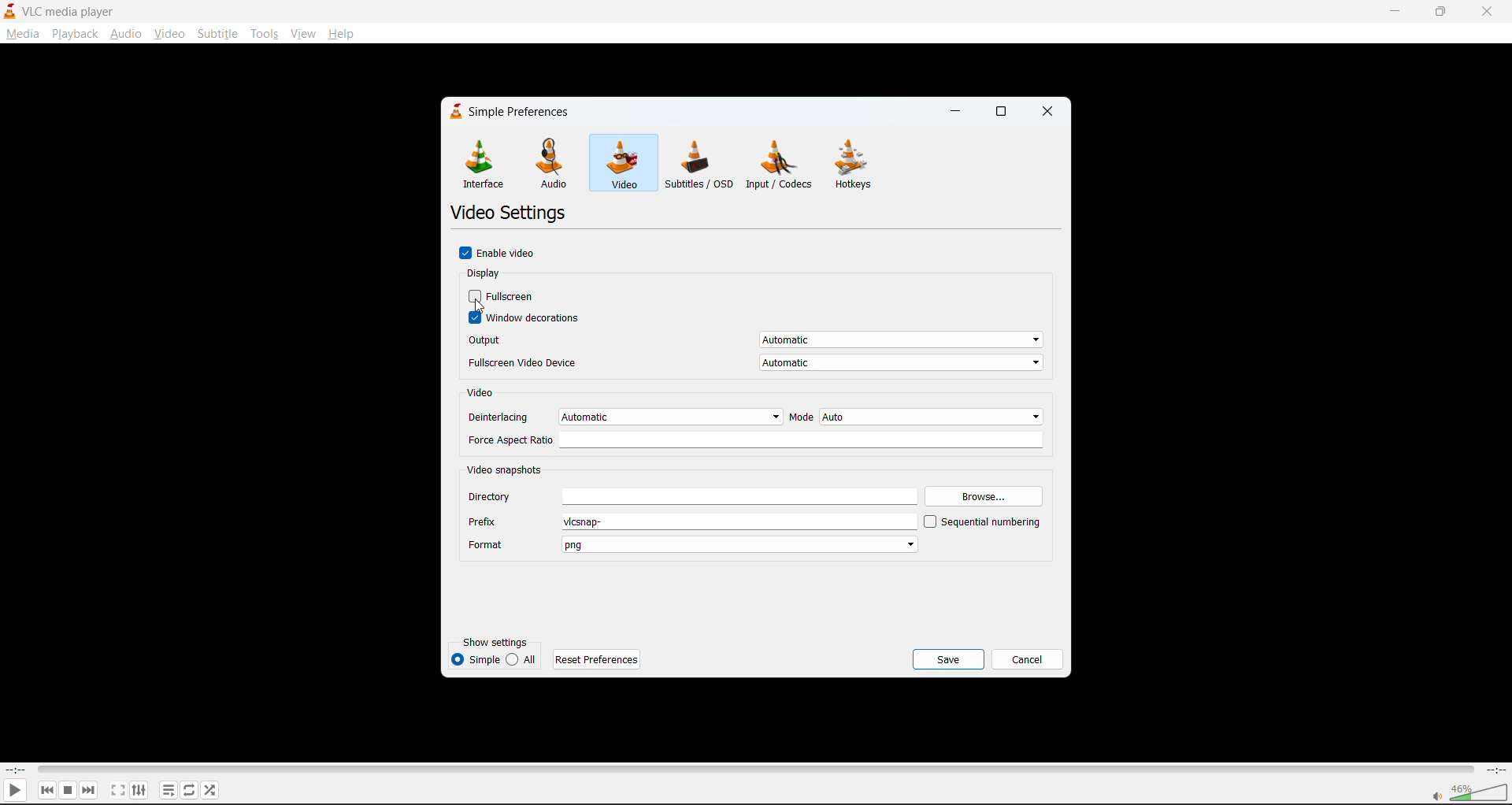 Image resolution: width=1512 pixels, height=805 pixels. What do you see at coordinates (600, 662) in the screenshot?
I see `reset preferences` at bounding box center [600, 662].